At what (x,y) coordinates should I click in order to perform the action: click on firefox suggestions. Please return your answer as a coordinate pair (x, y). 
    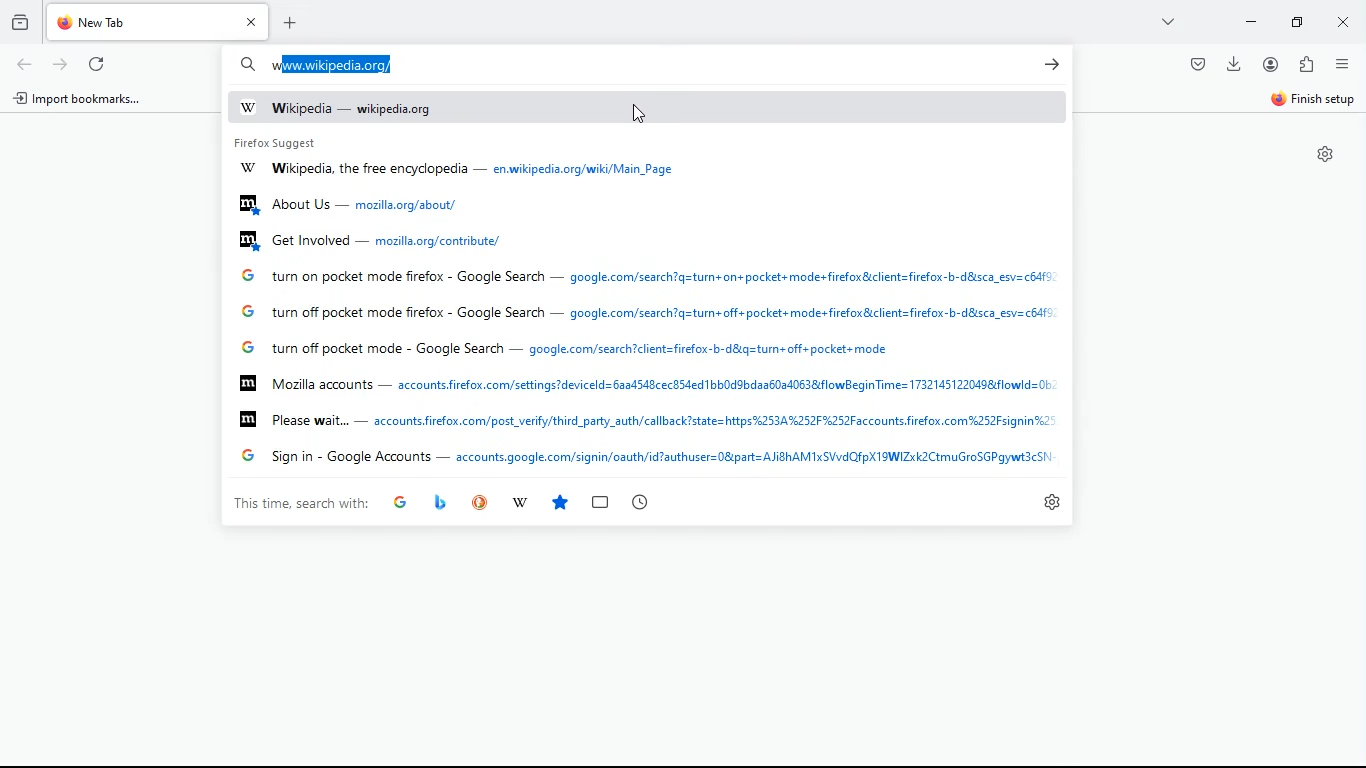
    Looking at the image, I should click on (468, 171).